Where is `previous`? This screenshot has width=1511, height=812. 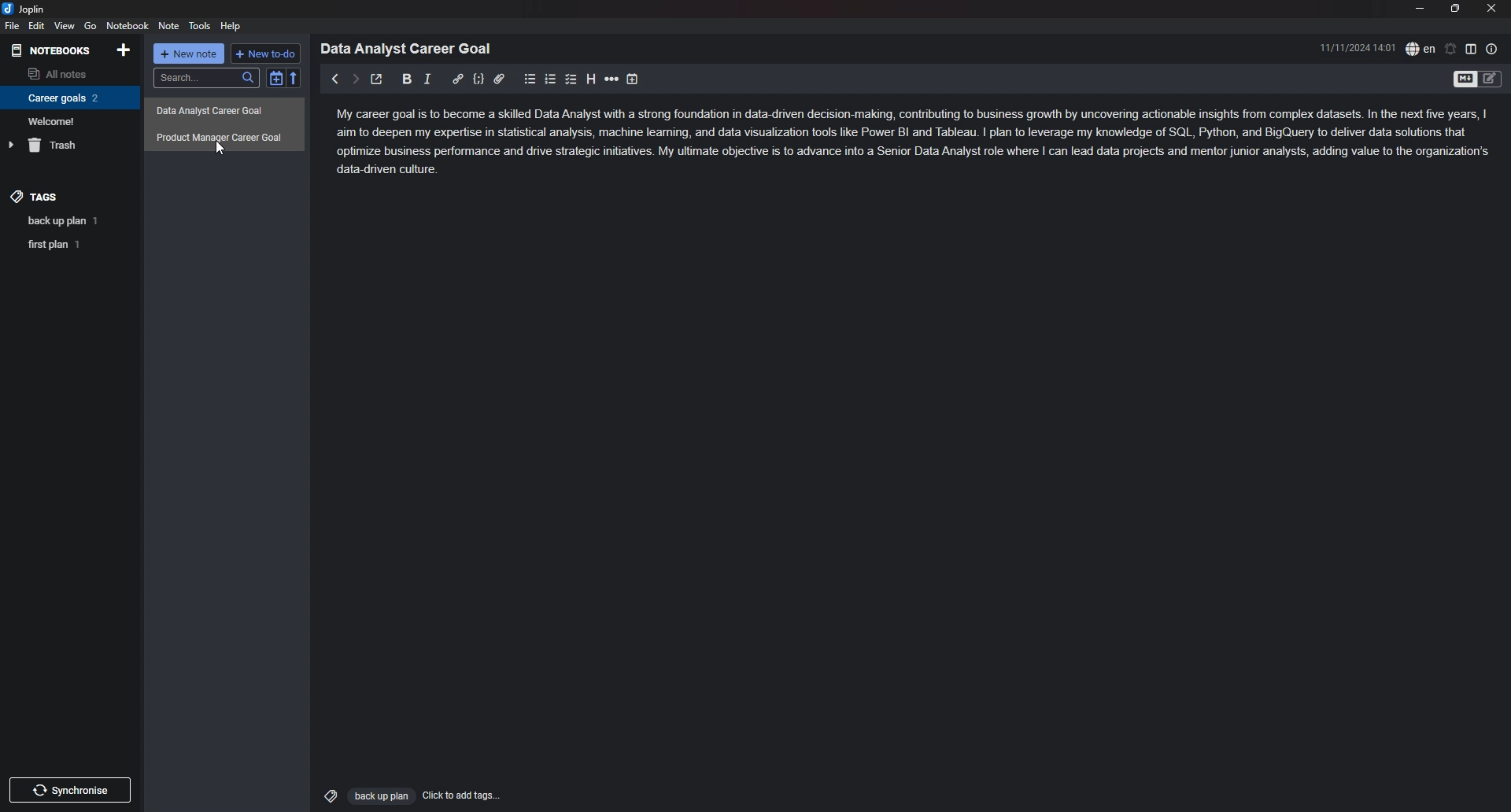 previous is located at coordinates (334, 79).